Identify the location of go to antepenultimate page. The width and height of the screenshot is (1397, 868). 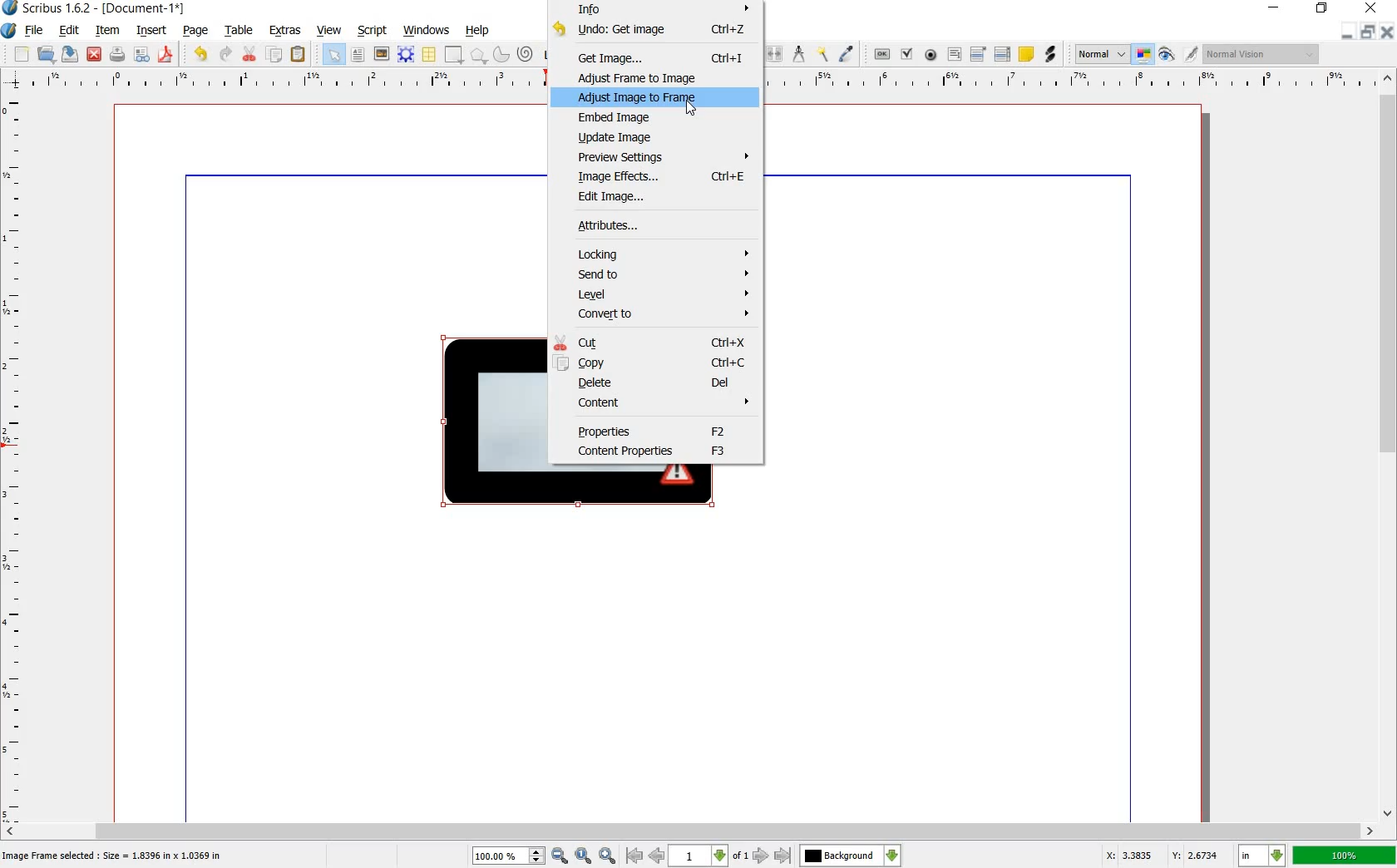
(634, 856).